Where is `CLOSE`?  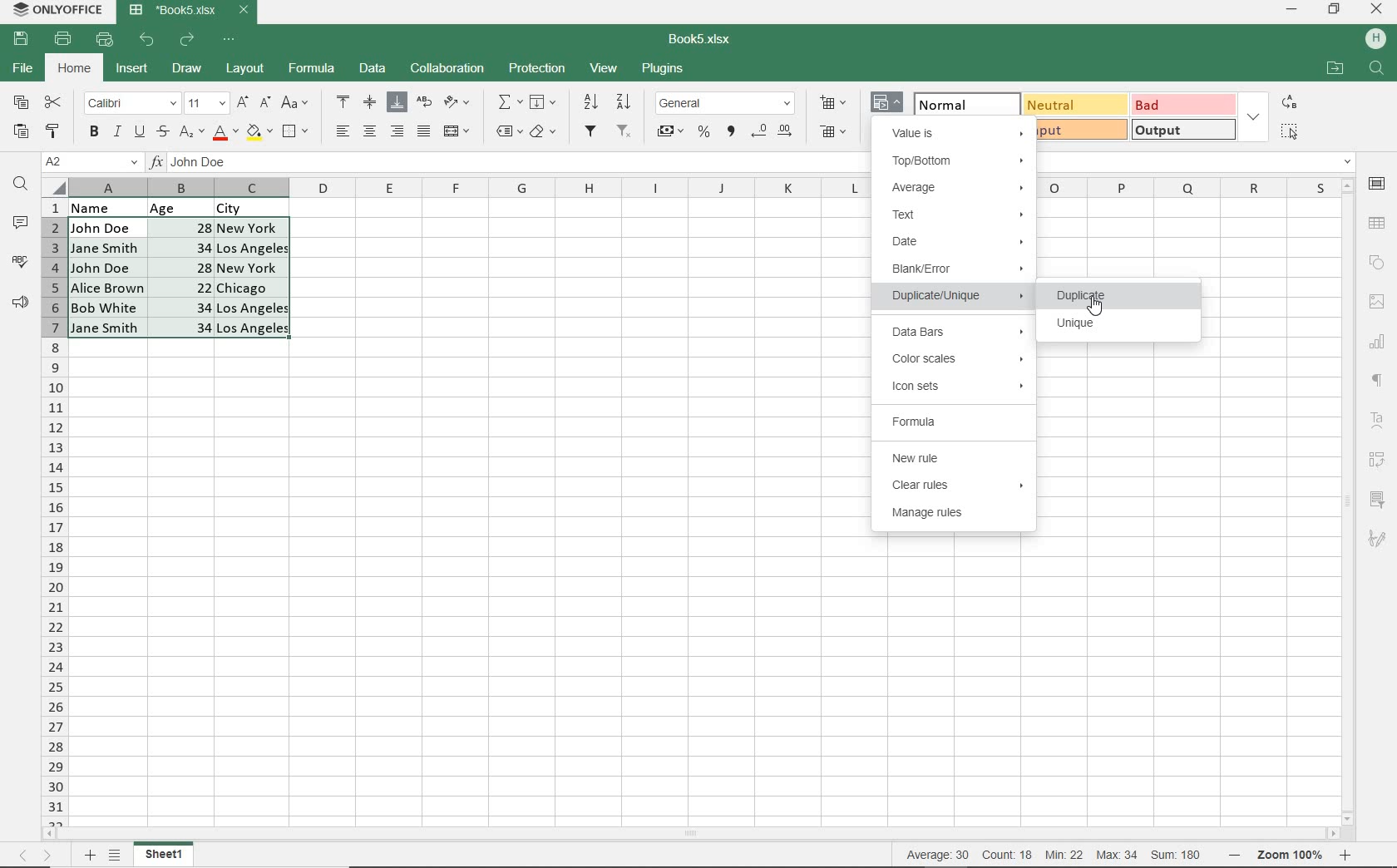 CLOSE is located at coordinates (1377, 10).